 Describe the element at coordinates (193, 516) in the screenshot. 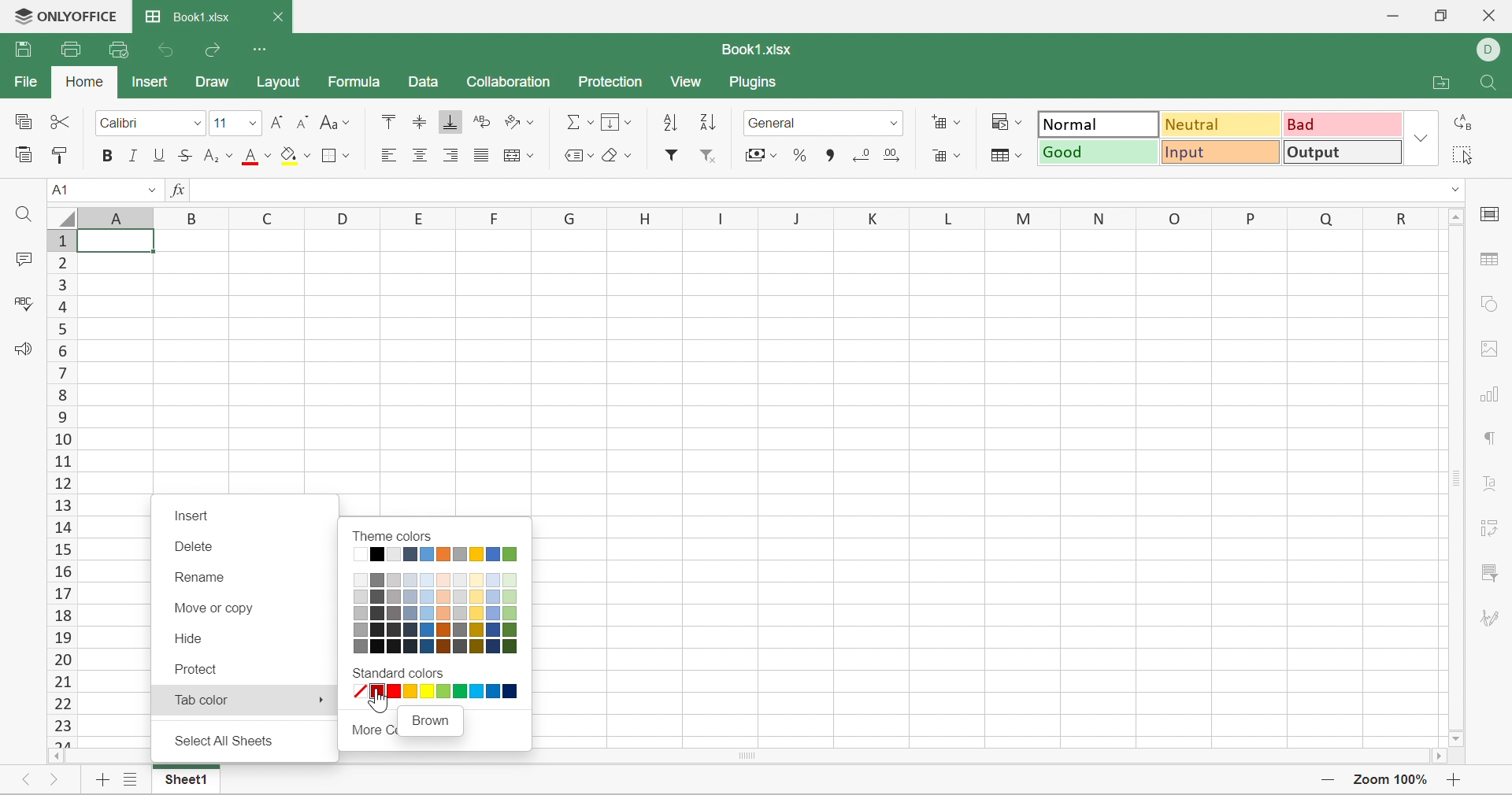

I see `Insert` at that location.